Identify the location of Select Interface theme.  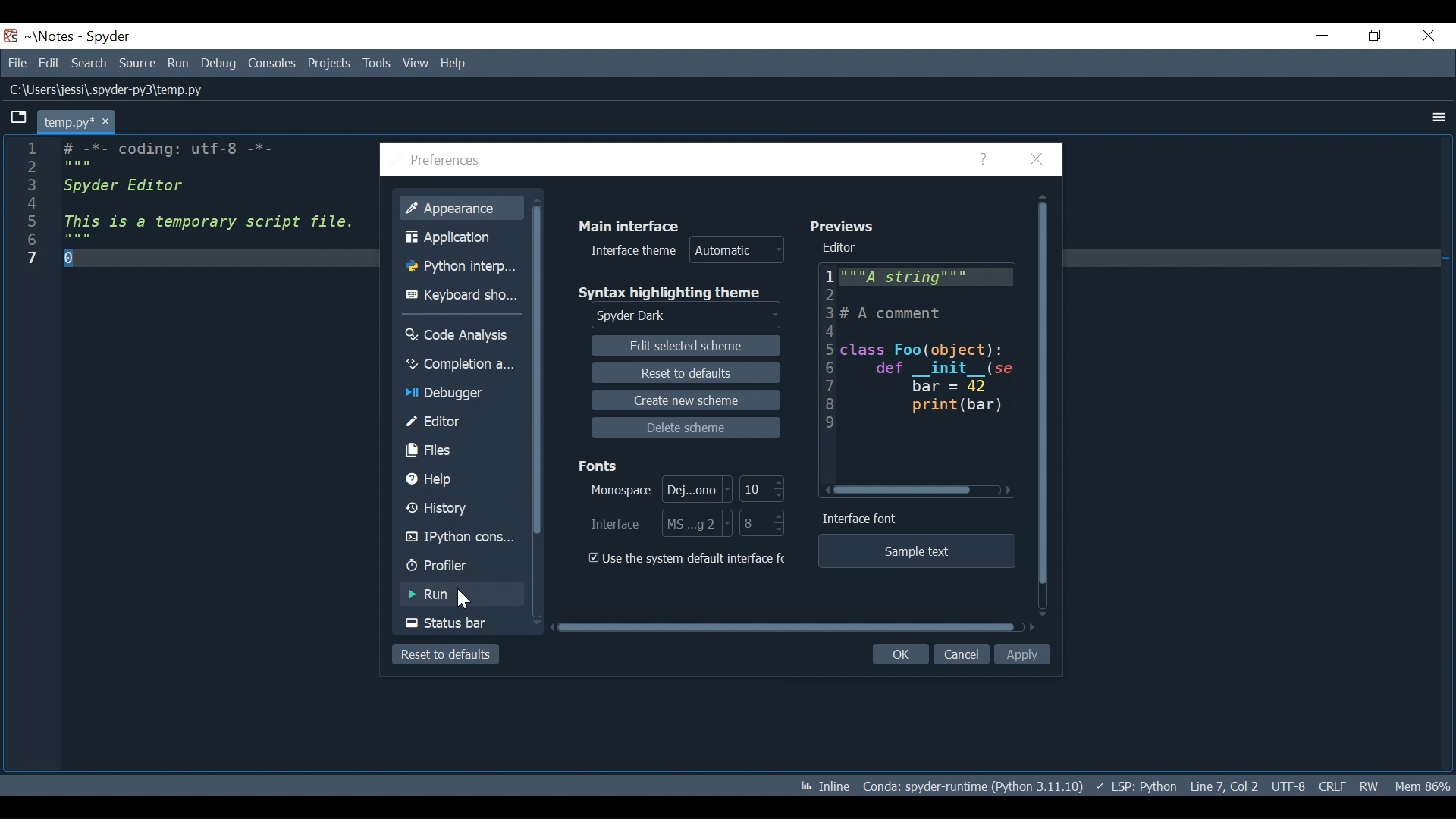
(688, 249).